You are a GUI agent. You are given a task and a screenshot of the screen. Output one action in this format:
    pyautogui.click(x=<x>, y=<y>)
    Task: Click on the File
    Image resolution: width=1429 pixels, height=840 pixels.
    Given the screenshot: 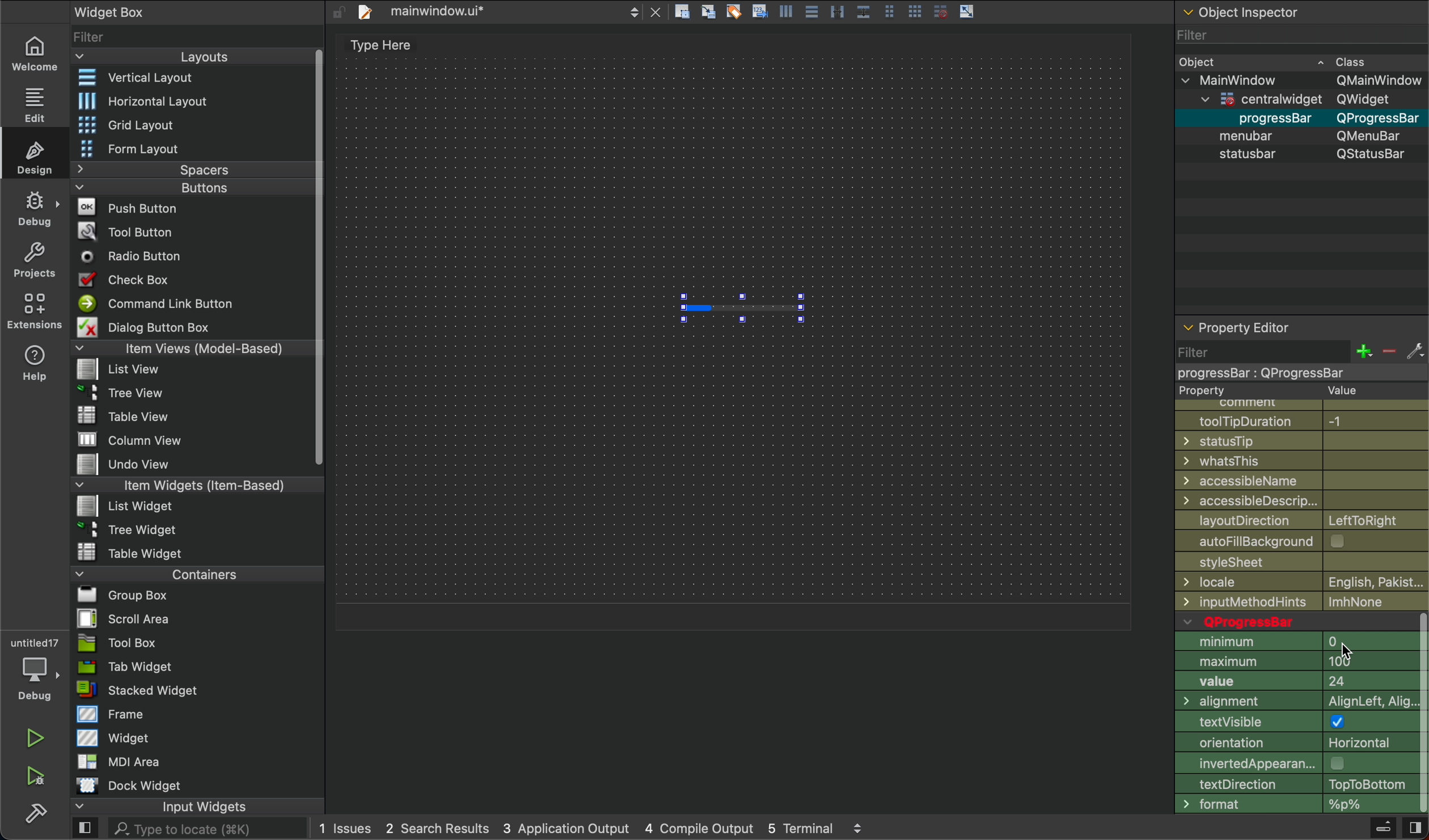 What is the action you would take?
    pyautogui.click(x=118, y=618)
    